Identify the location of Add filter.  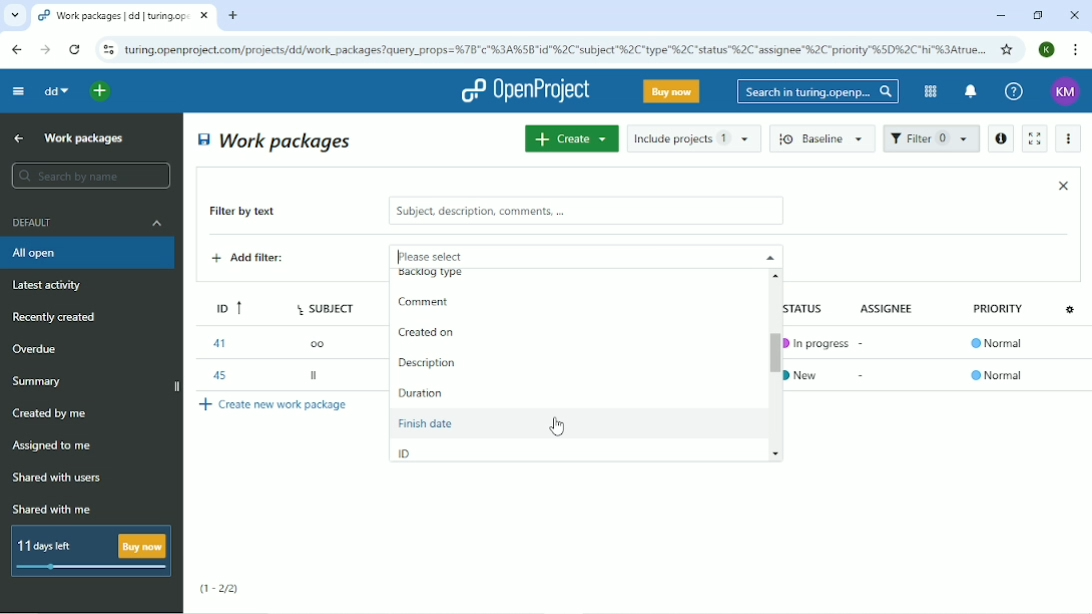
(263, 260).